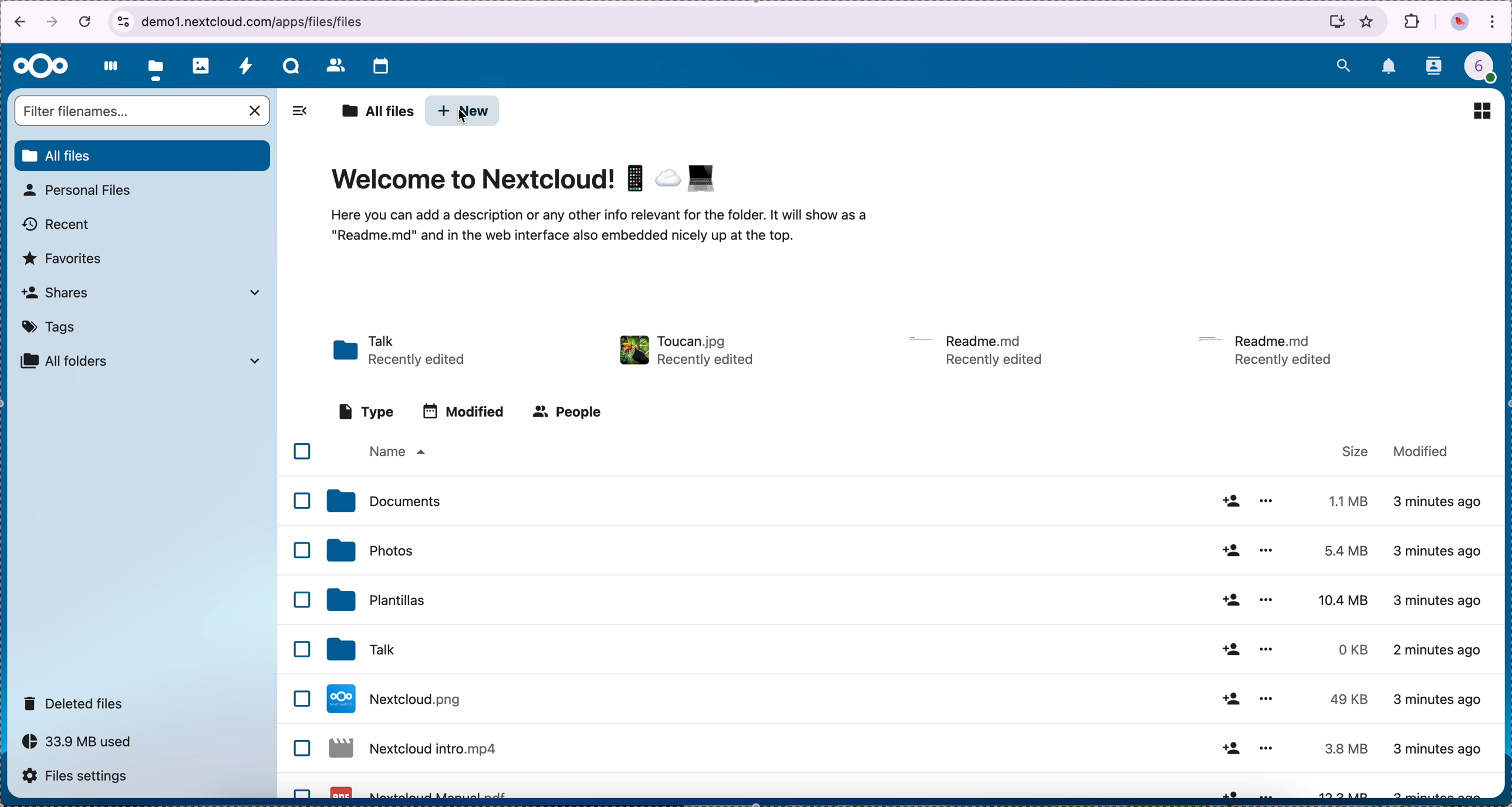  Describe the element at coordinates (377, 599) in the screenshot. I see `templates` at that location.